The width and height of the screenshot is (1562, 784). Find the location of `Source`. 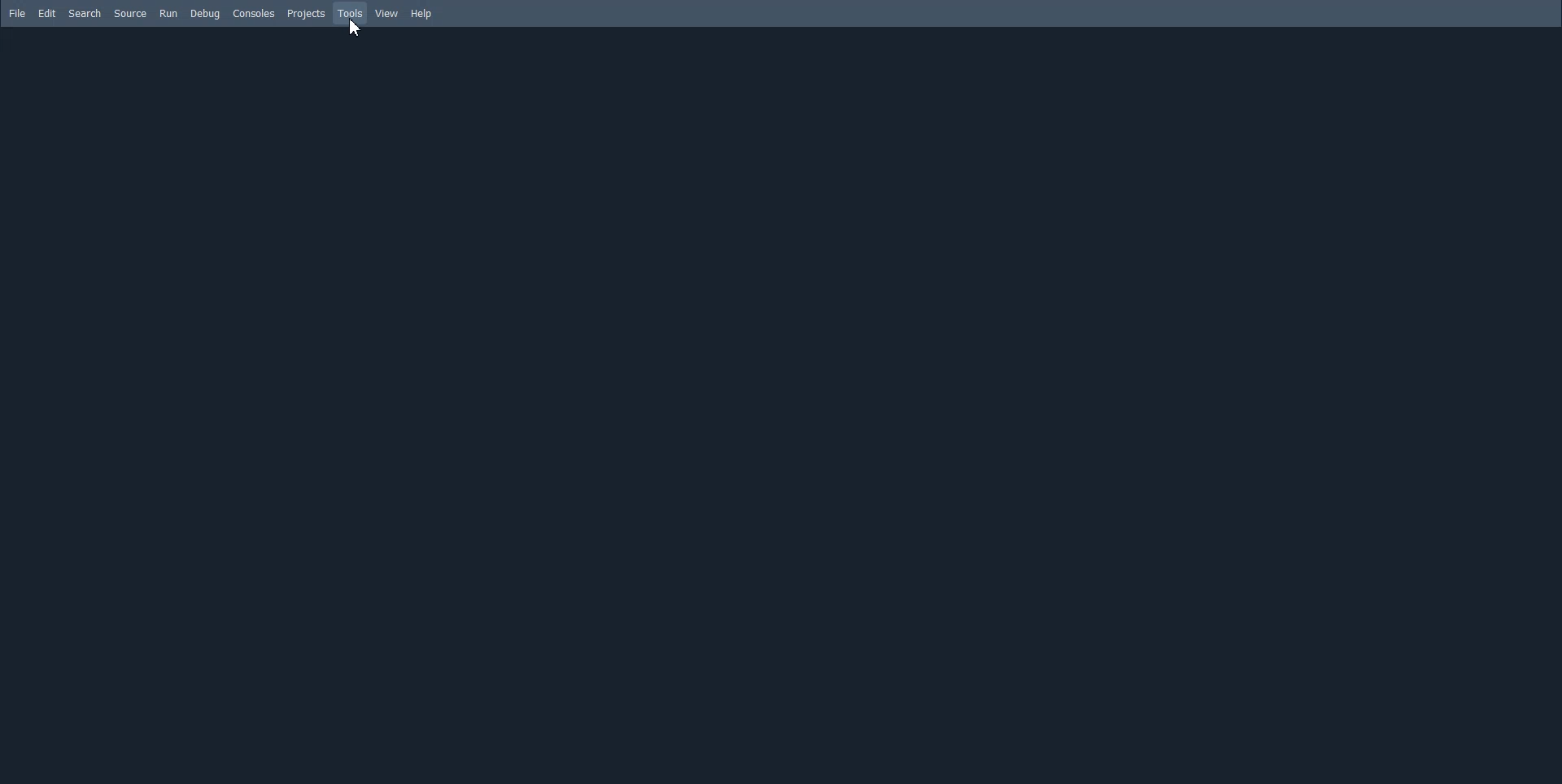

Source is located at coordinates (129, 14).